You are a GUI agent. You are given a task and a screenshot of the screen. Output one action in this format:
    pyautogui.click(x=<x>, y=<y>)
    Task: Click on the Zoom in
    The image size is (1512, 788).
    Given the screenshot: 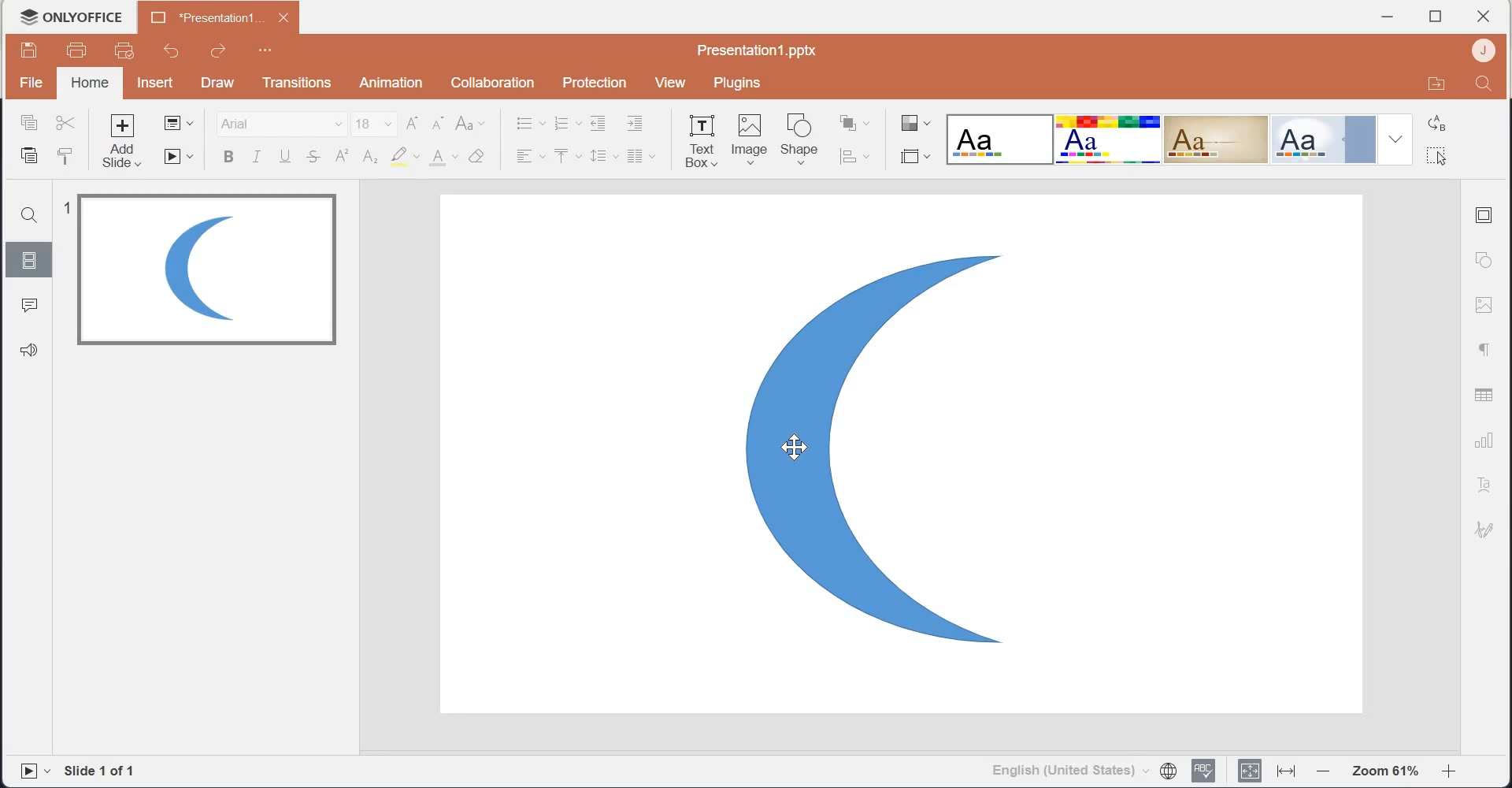 What is the action you would take?
    pyautogui.click(x=1455, y=772)
    